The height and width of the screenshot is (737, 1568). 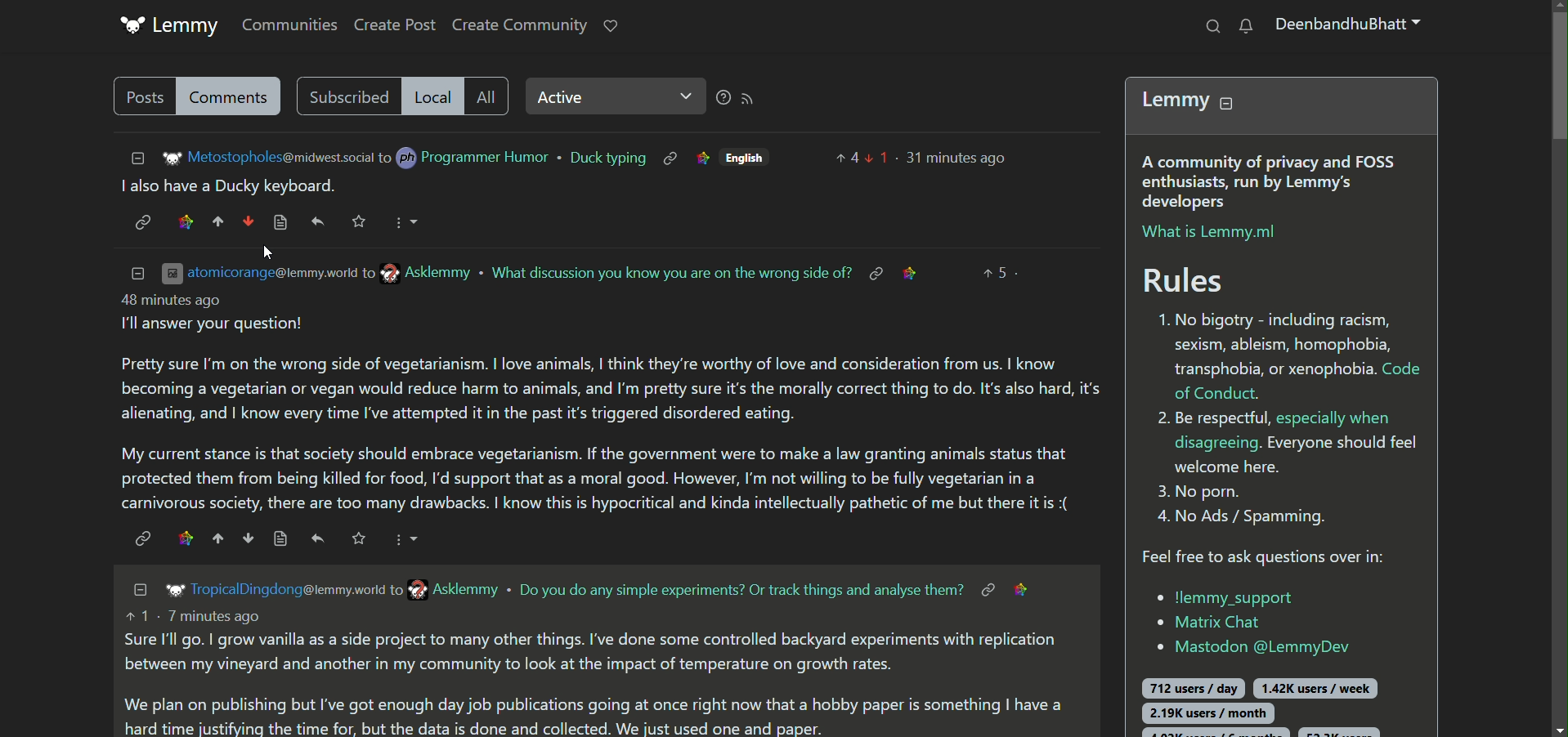 What do you see at coordinates (217, 538) in the screenshot?
I see `upvote` at bounding box center [217, 538].